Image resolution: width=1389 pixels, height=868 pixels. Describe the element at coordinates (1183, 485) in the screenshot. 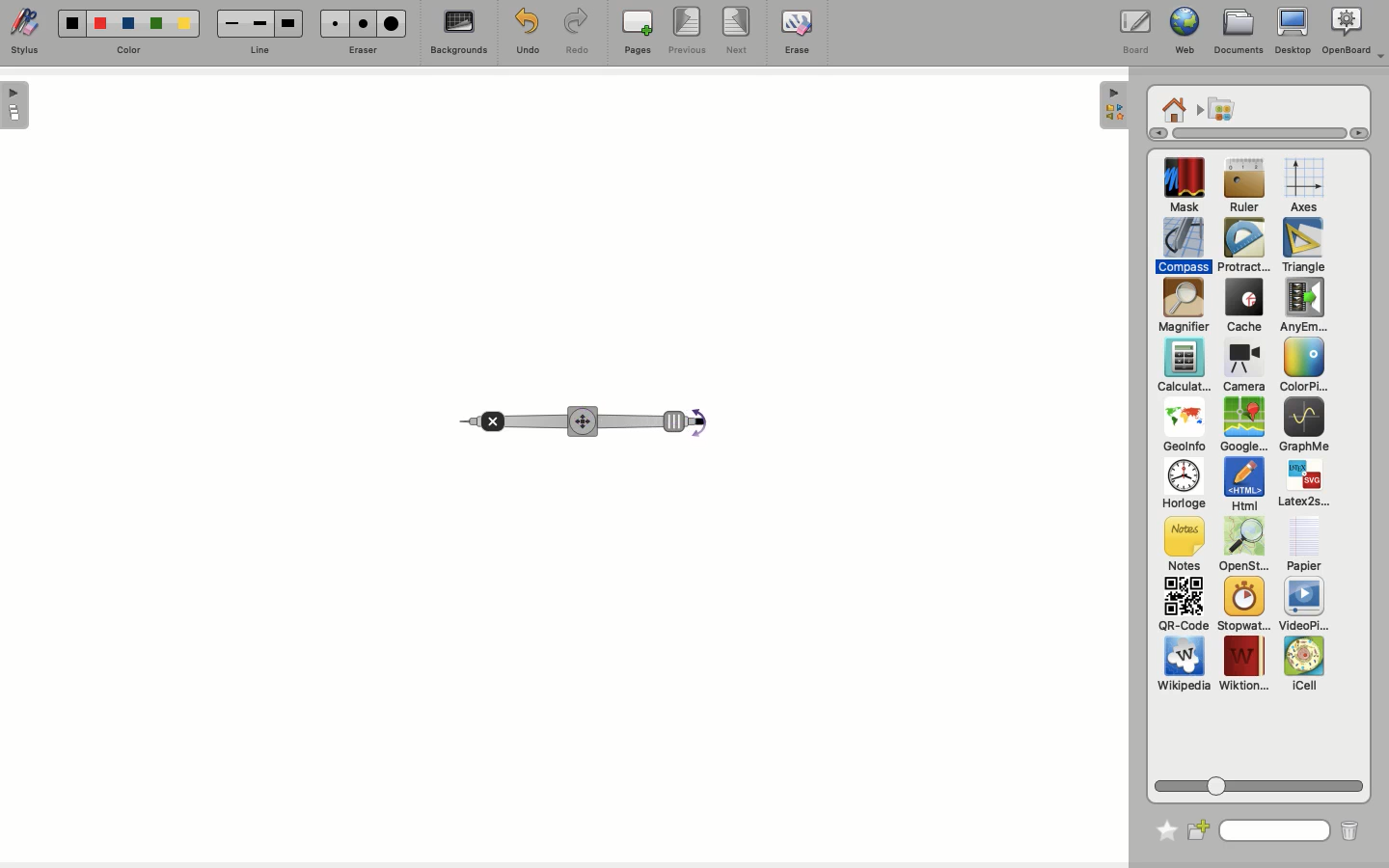

I see `Horloge` at that location.